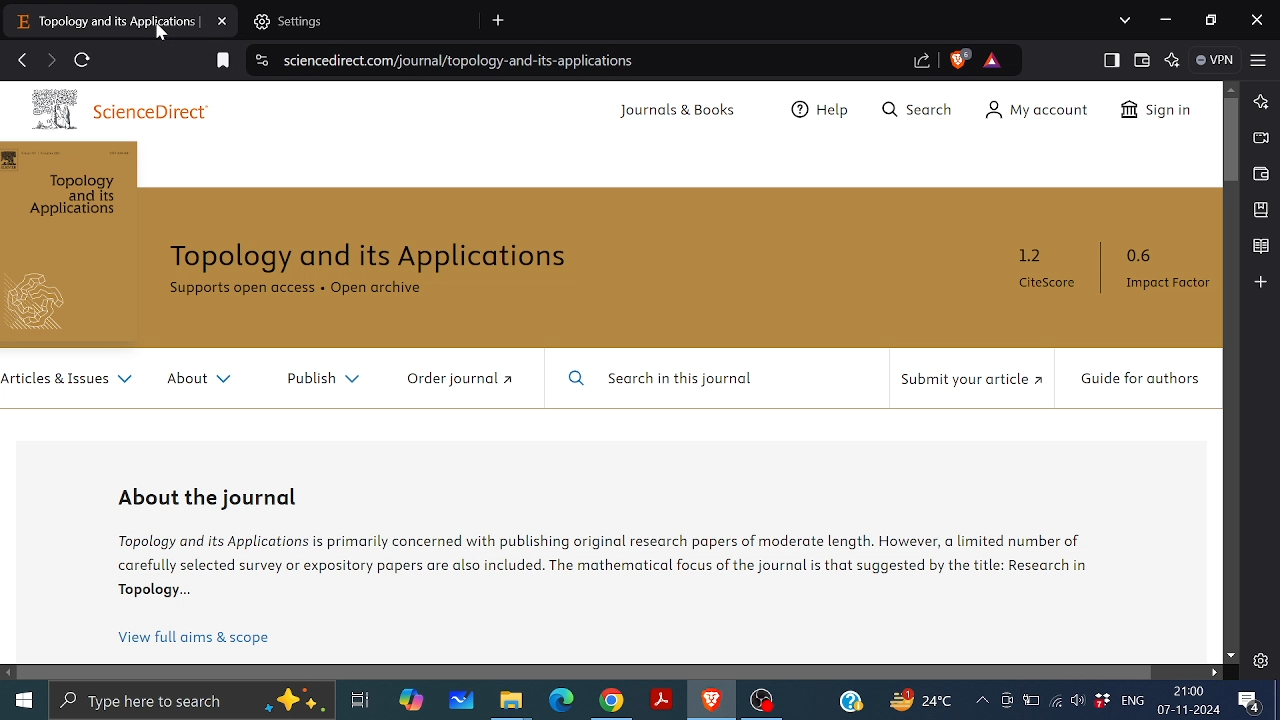 The image size is (1280, 720). I want to click on Minimize, so click(1165, 21).